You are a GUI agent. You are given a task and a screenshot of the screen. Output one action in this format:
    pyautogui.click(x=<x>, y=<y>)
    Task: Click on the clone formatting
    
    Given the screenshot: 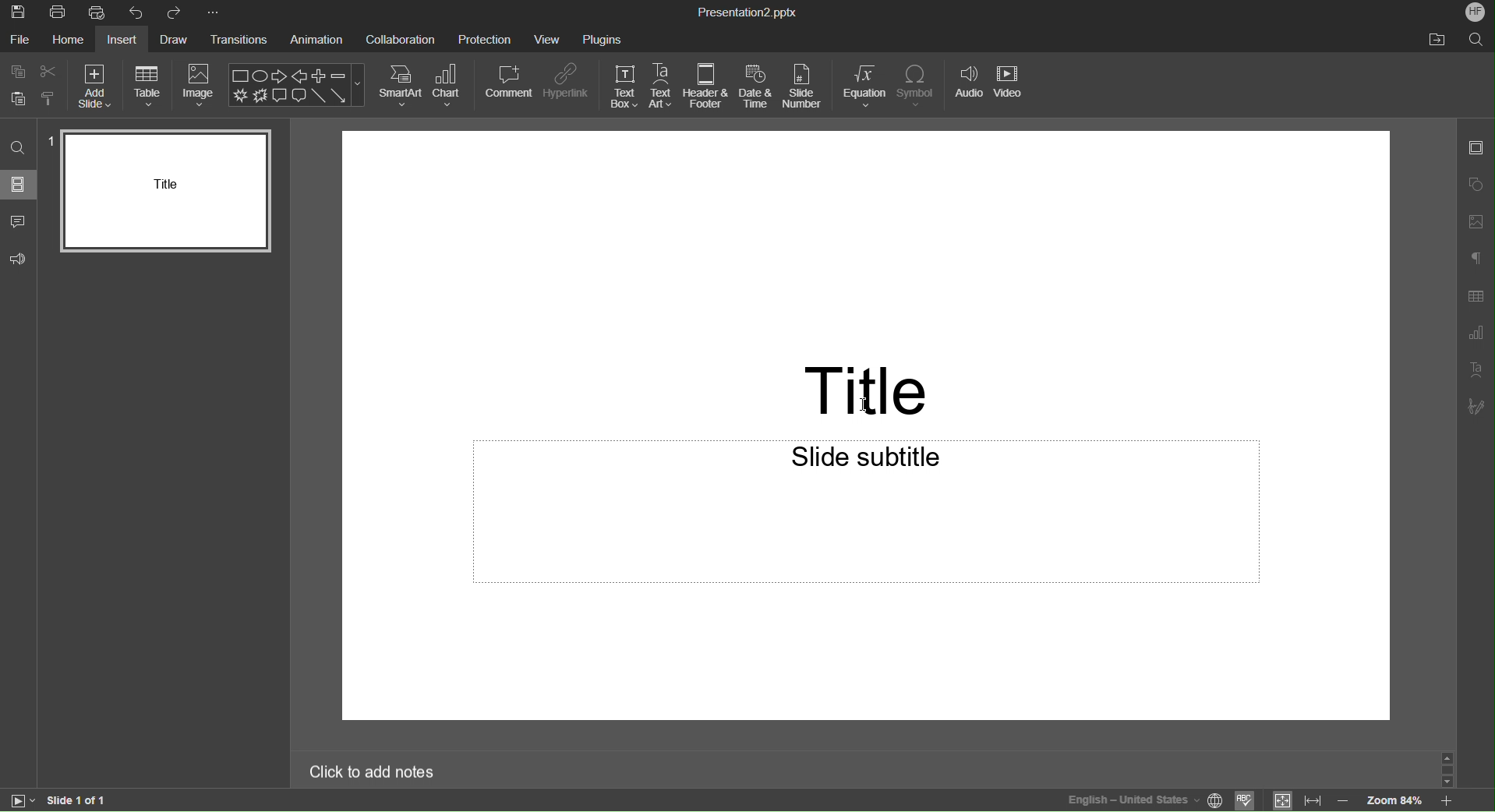 What is the action you would take?
    pyautogui.click(x=48, y=100)
    